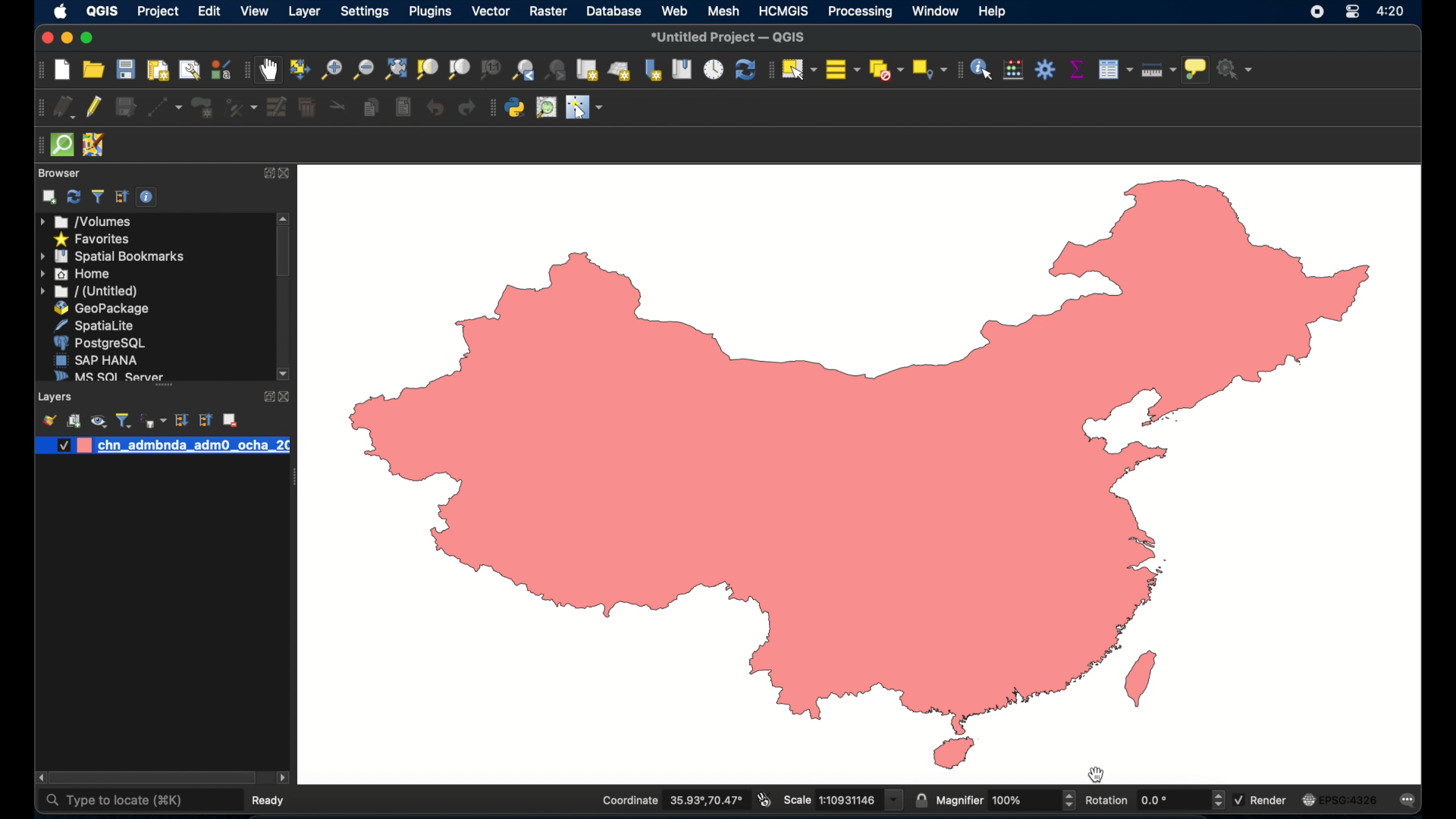 The width and height of the screenshot is (1456, 819). I want to click on identify features, so click(981, 71).